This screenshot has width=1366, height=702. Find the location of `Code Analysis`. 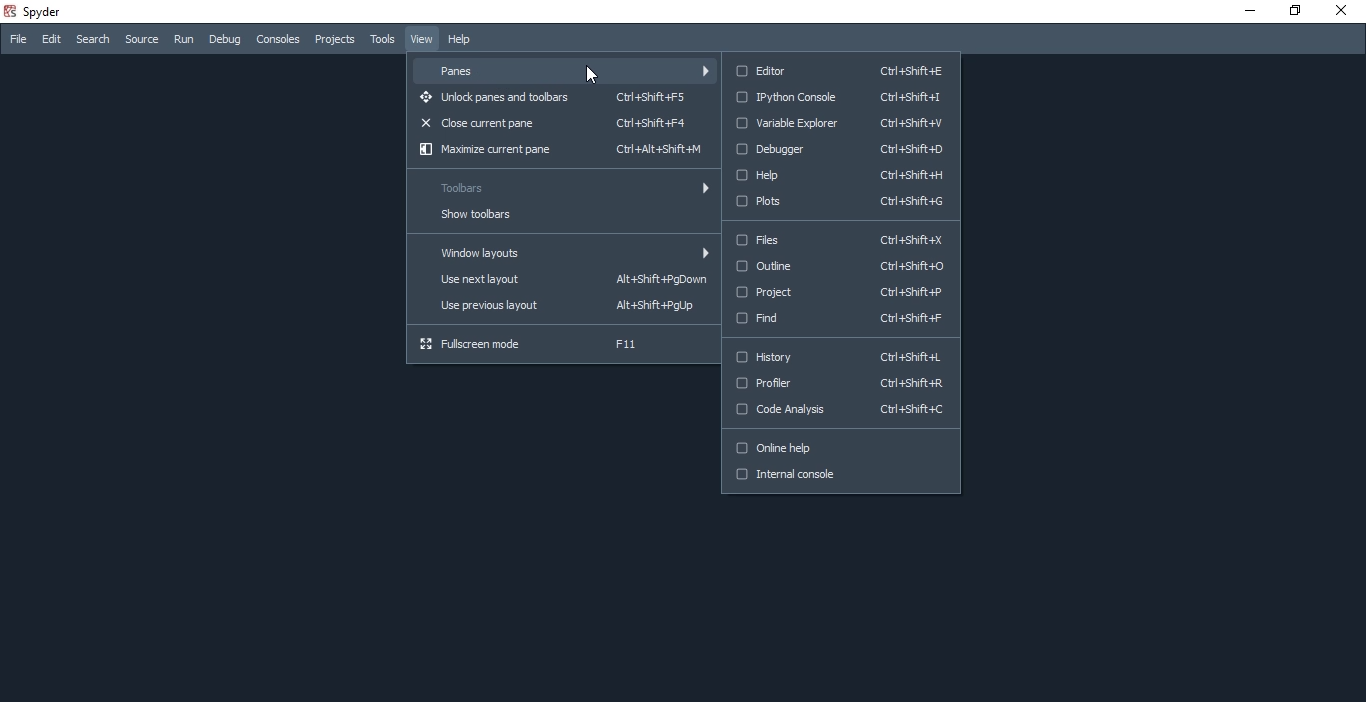

Code Analysis is located at coordinates (837, 413).